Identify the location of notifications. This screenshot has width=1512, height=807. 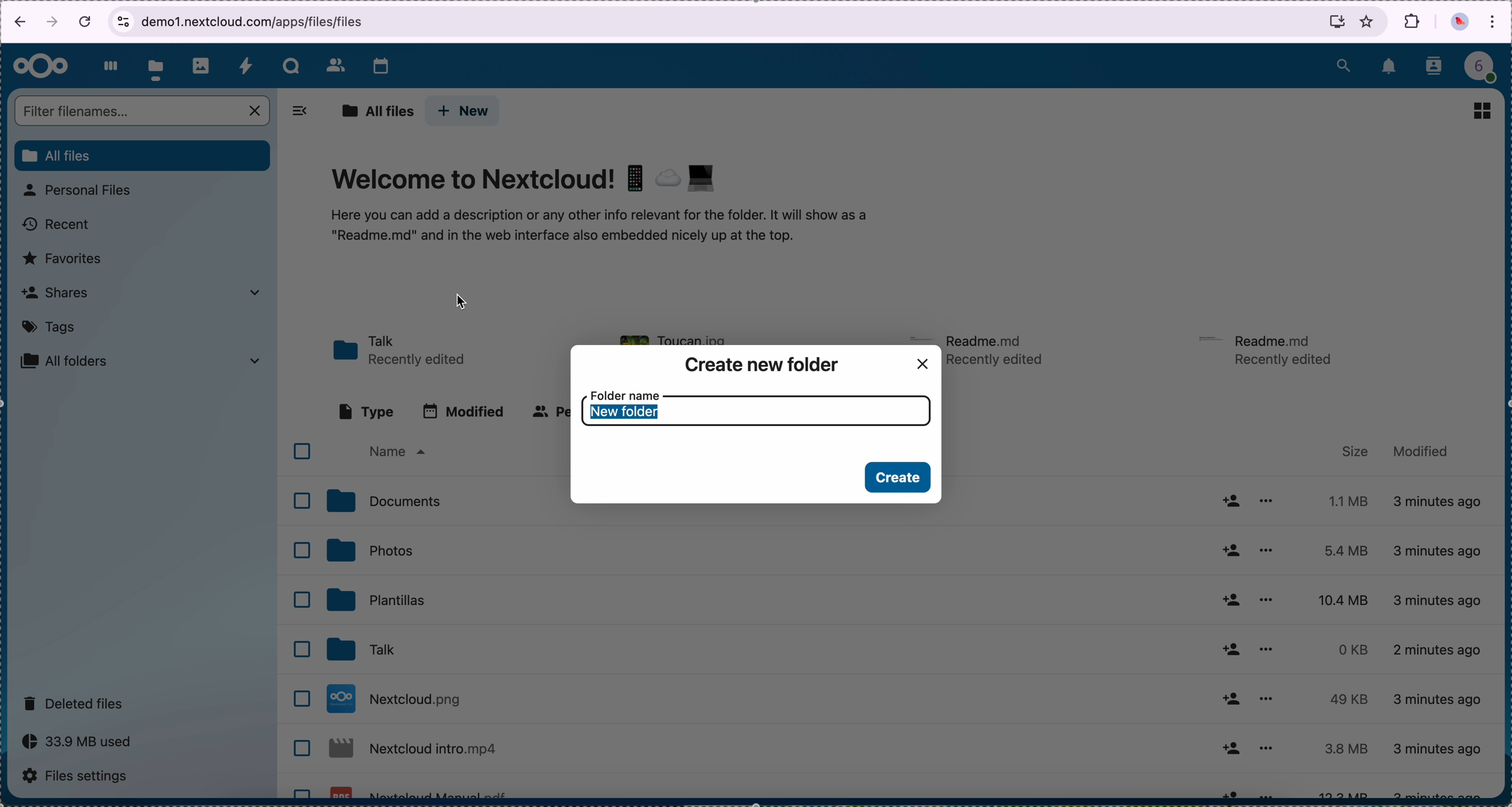
(1390, 67).